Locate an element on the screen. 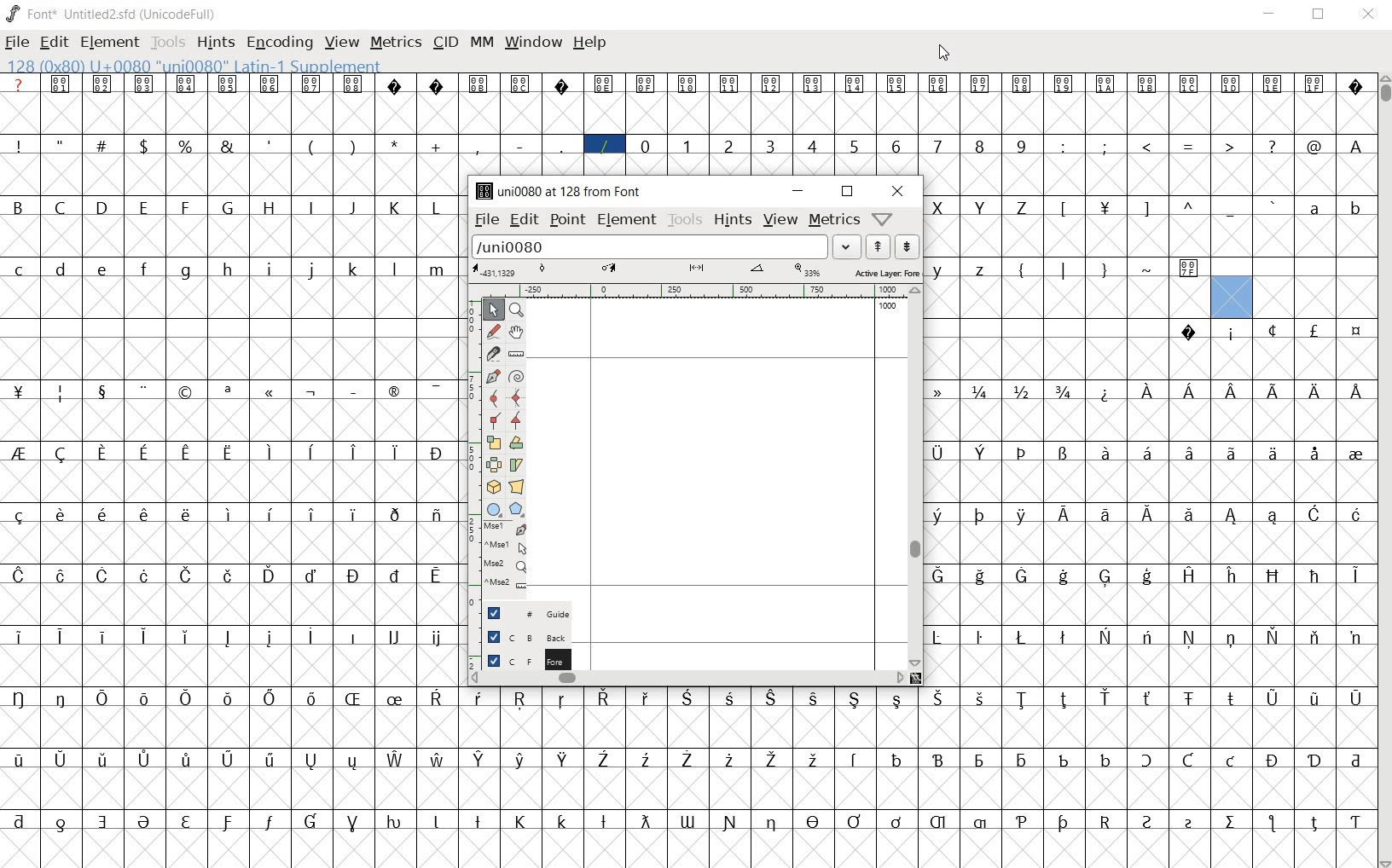 This screenshot has height=868, width=1392. glyph is located at coordinates (1189, 760).